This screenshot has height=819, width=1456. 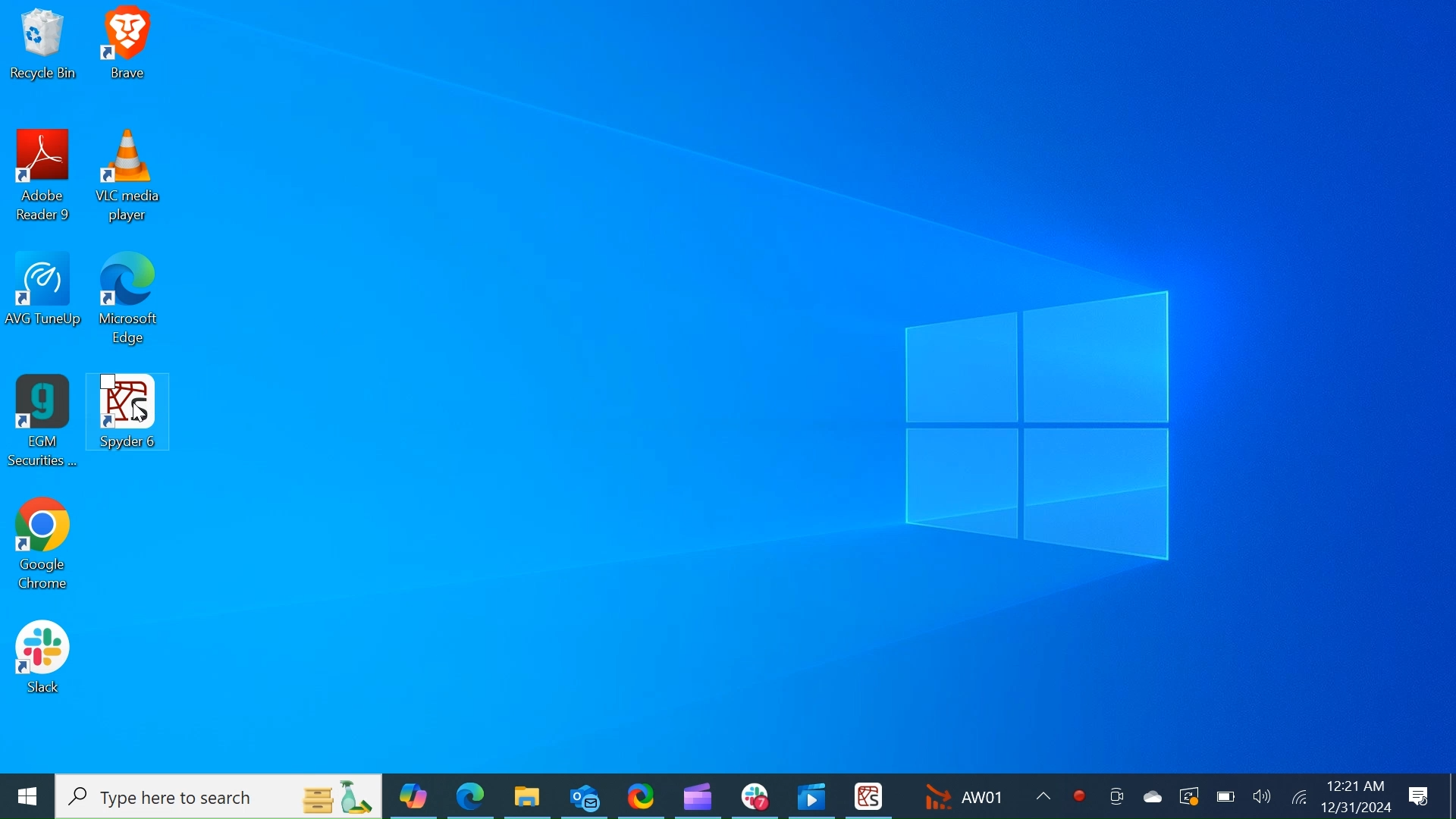 I want to click on VLC Media Desktop Icon, so click(x=129, y=179).